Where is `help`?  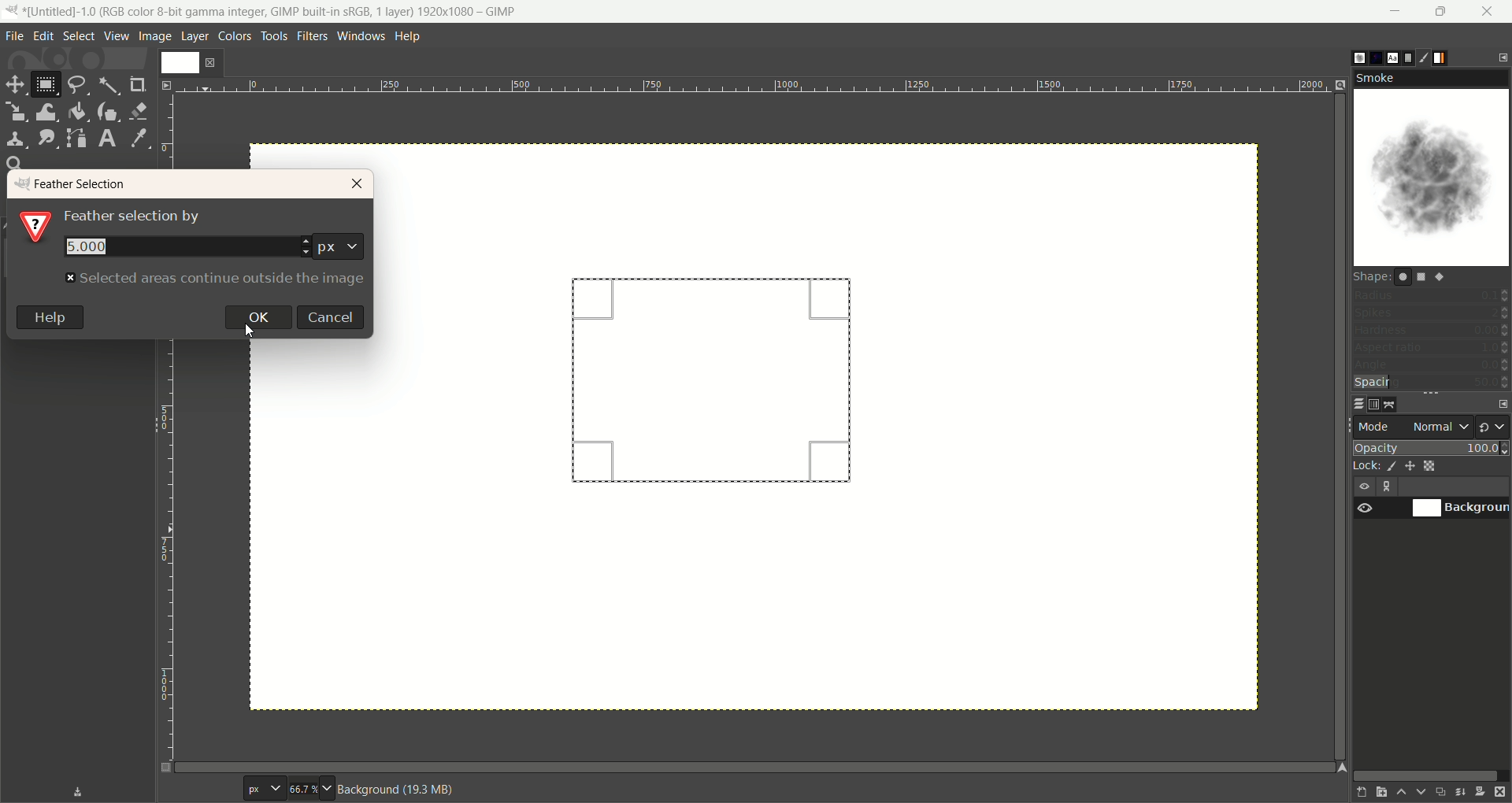 help is located at coordinates (406, 37).